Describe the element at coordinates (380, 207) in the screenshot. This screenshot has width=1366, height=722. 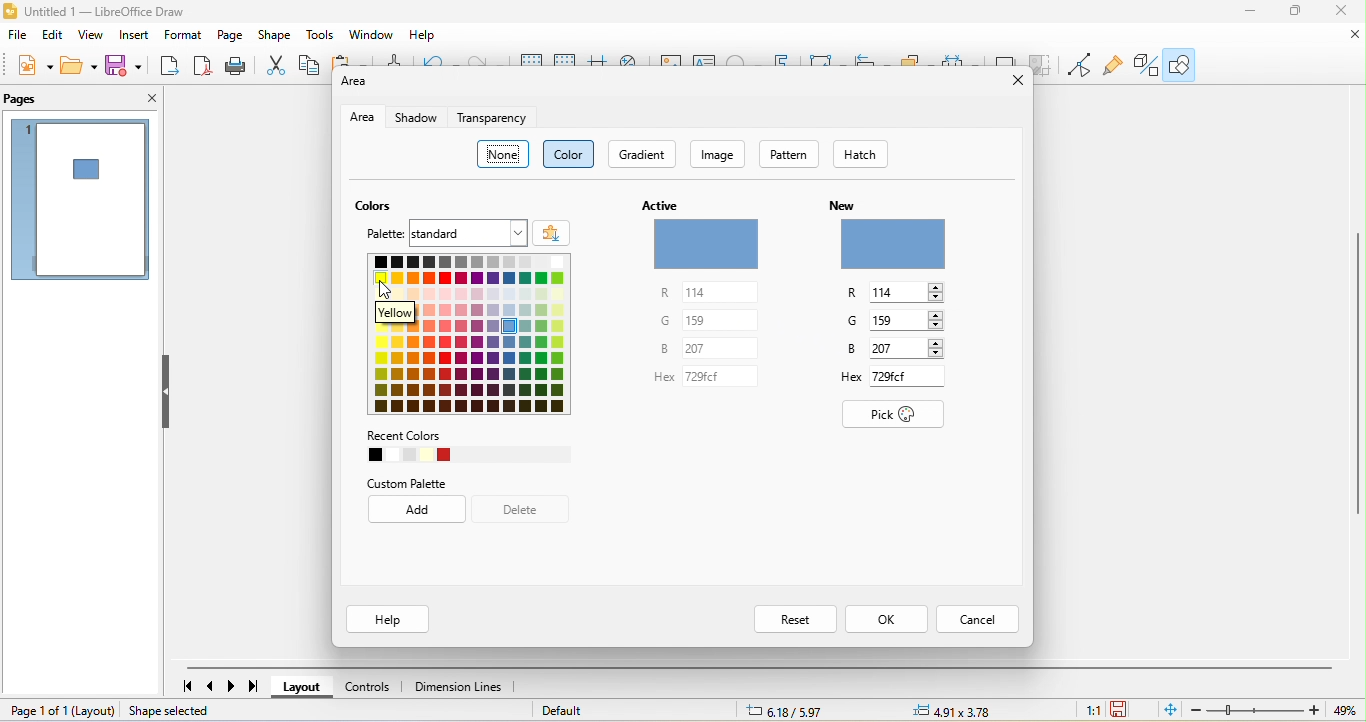
I see `colors` at that location.